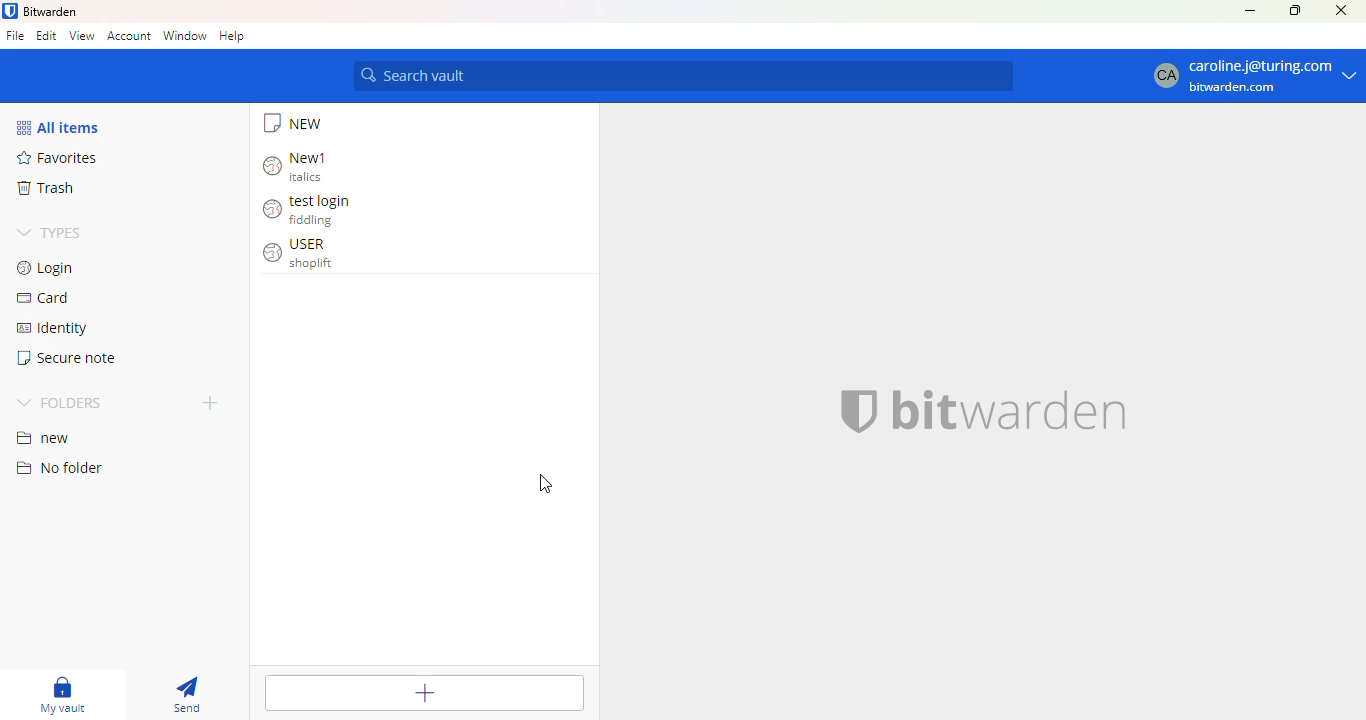 This screenshot has height=720, width=1366. I want to click on view, so click(83, 36).